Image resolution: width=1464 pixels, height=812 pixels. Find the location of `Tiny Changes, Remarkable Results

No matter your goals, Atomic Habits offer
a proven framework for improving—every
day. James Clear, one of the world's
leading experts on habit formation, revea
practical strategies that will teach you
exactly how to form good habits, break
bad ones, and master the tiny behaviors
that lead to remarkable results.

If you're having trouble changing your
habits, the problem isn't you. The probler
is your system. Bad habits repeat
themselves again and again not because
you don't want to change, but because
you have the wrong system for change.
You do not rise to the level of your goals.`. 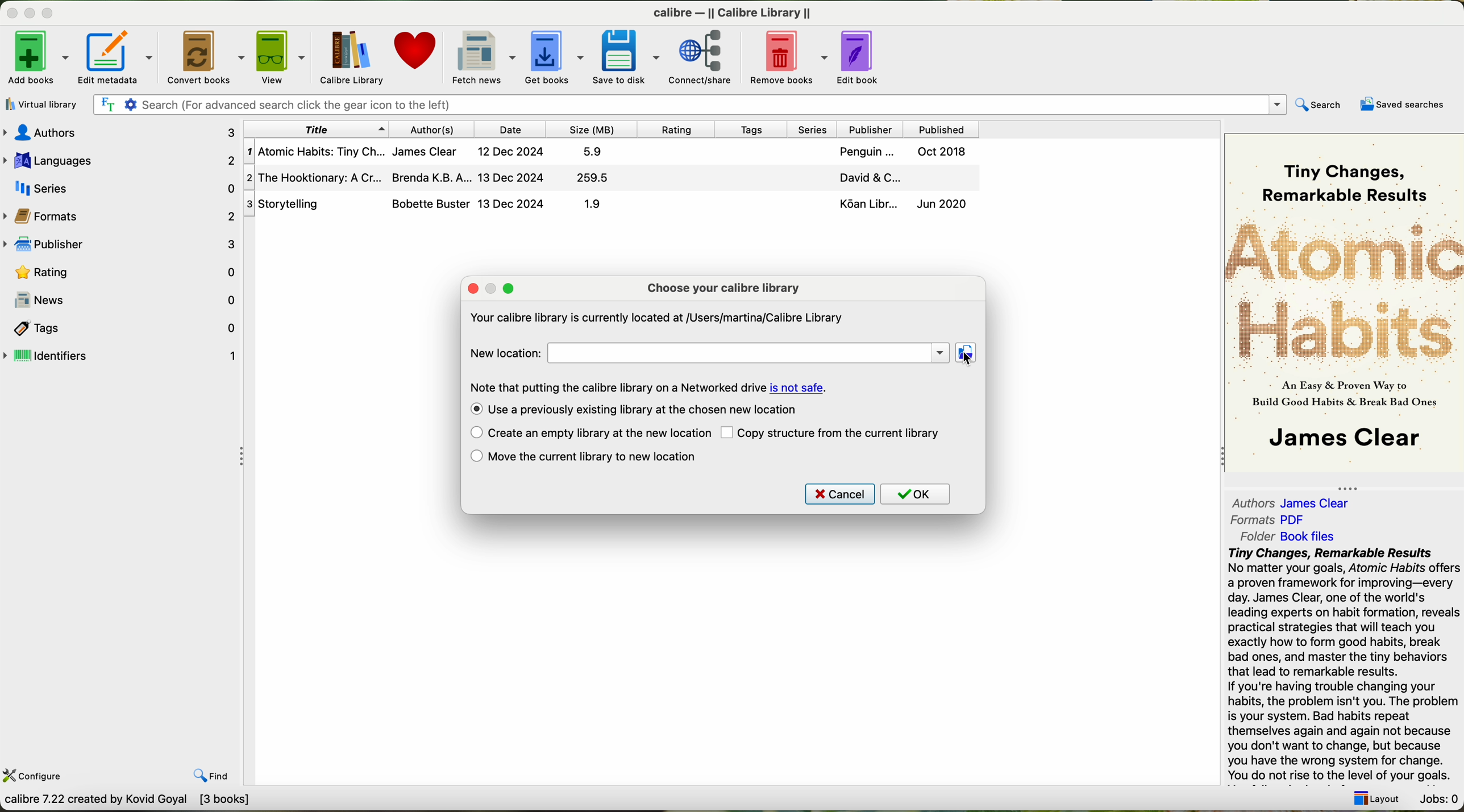

Tiny Changes, Remarkable Results

No matter your goals, Atomic Habits offer
a proven framework for improving—every
day. James Clear, one of the world's
leading experts on habit formation, revea
practical strategies that will teach you
exactly how to form good habits, break
bad ones, and master the tiny behaviors
that lead to remarkable results.

If you're having trouble changing your
habits, the problem isn't you. The probler
is your system. Bad habits repeat
themselves again and again not because
you don't want to change, but because
you have the wrong system for change.
You do not rise to the level of your goals. is located at coordinates (1342, 665).